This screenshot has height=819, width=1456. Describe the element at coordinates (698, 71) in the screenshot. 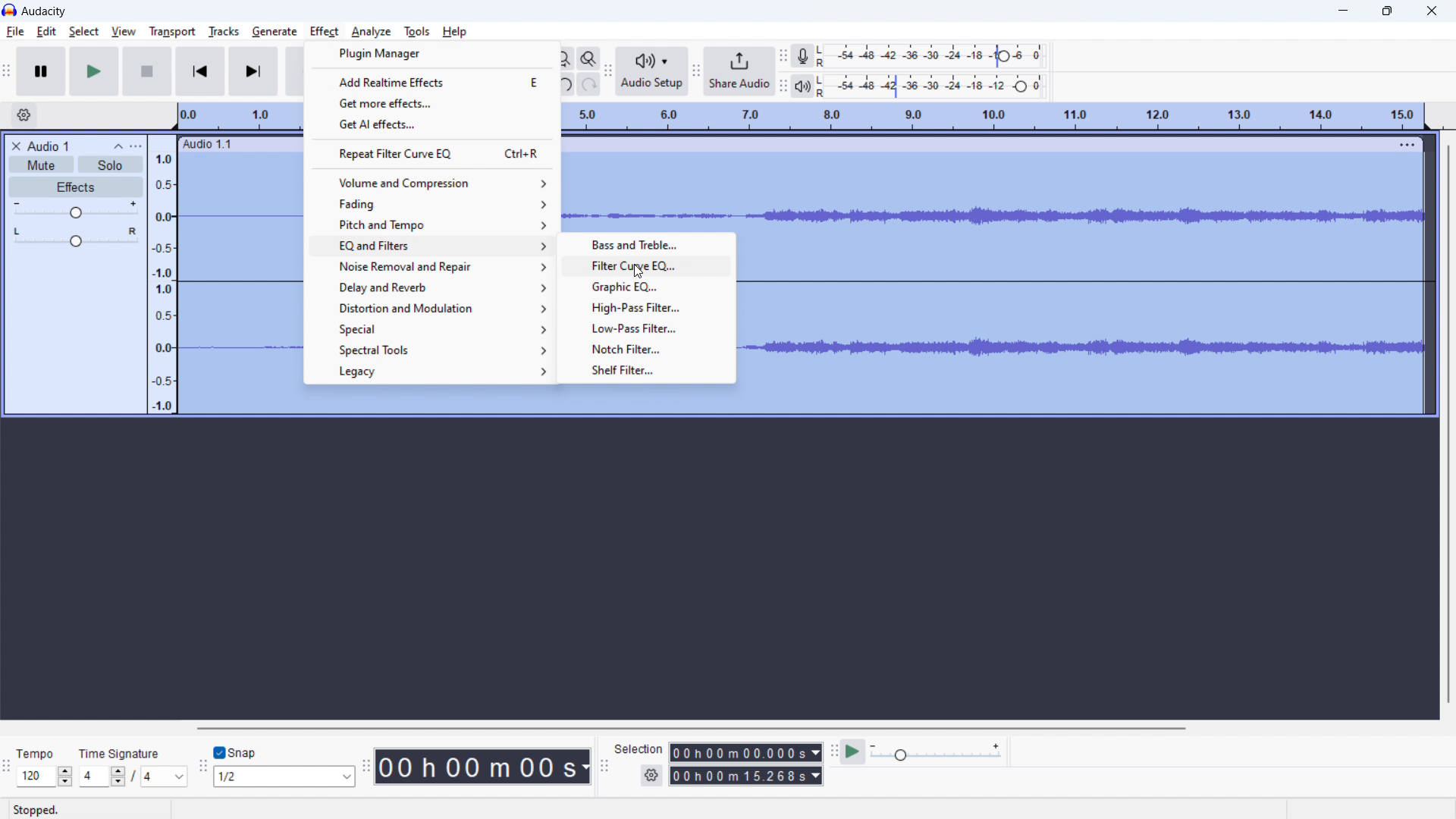

I see `share audio toolbar` at that location.